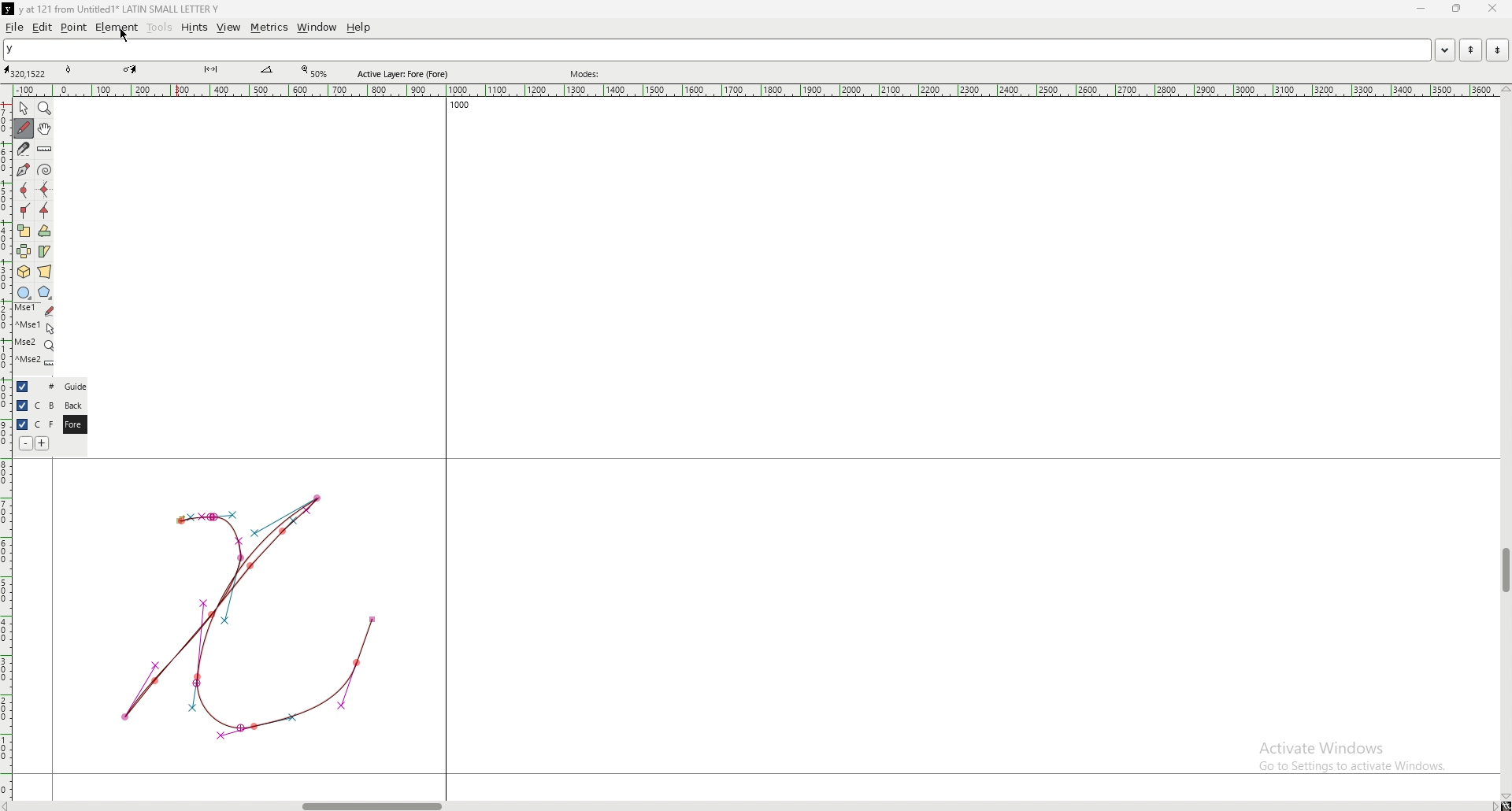 The image size is (1512, 811). Describe the element at coordinates (193, 28) in the screenshot. I see `hints` at that location.